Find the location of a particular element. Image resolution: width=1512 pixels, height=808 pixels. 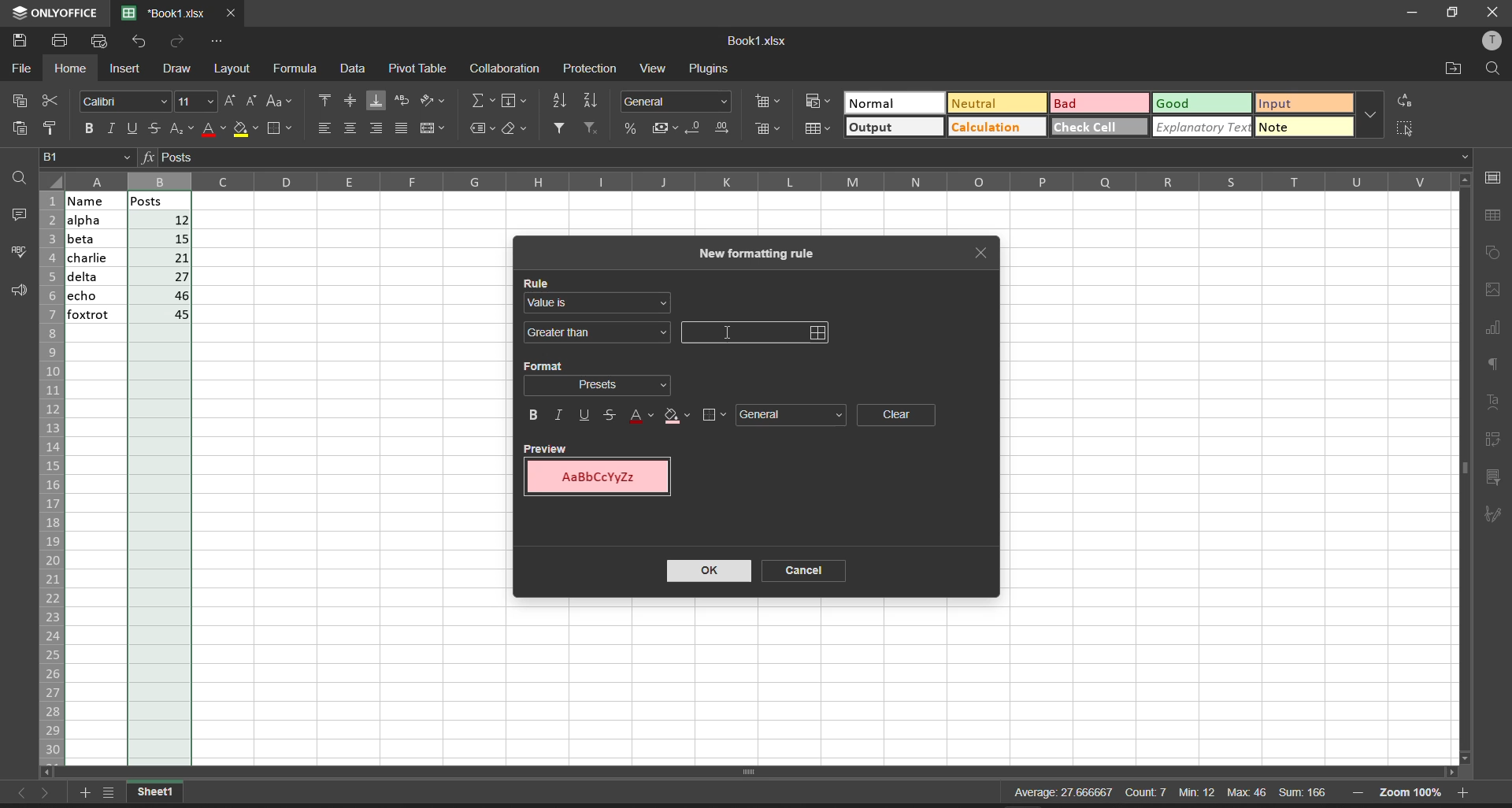

explanatory text is located at coordinates (1203, 128).